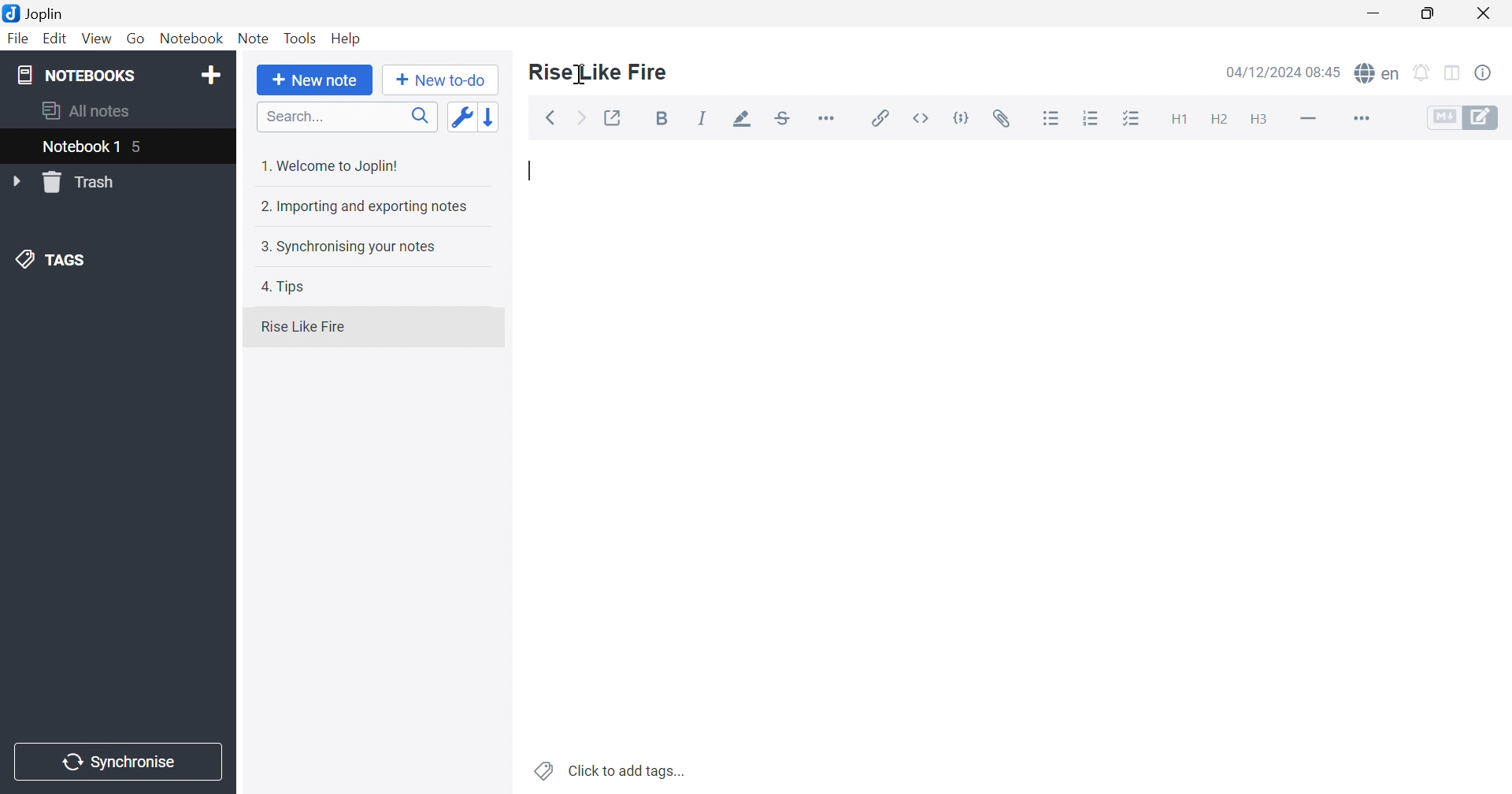 The height and width of the screenshot is (794, 1512). I want to click on Set alarm, so click(1421, 72).